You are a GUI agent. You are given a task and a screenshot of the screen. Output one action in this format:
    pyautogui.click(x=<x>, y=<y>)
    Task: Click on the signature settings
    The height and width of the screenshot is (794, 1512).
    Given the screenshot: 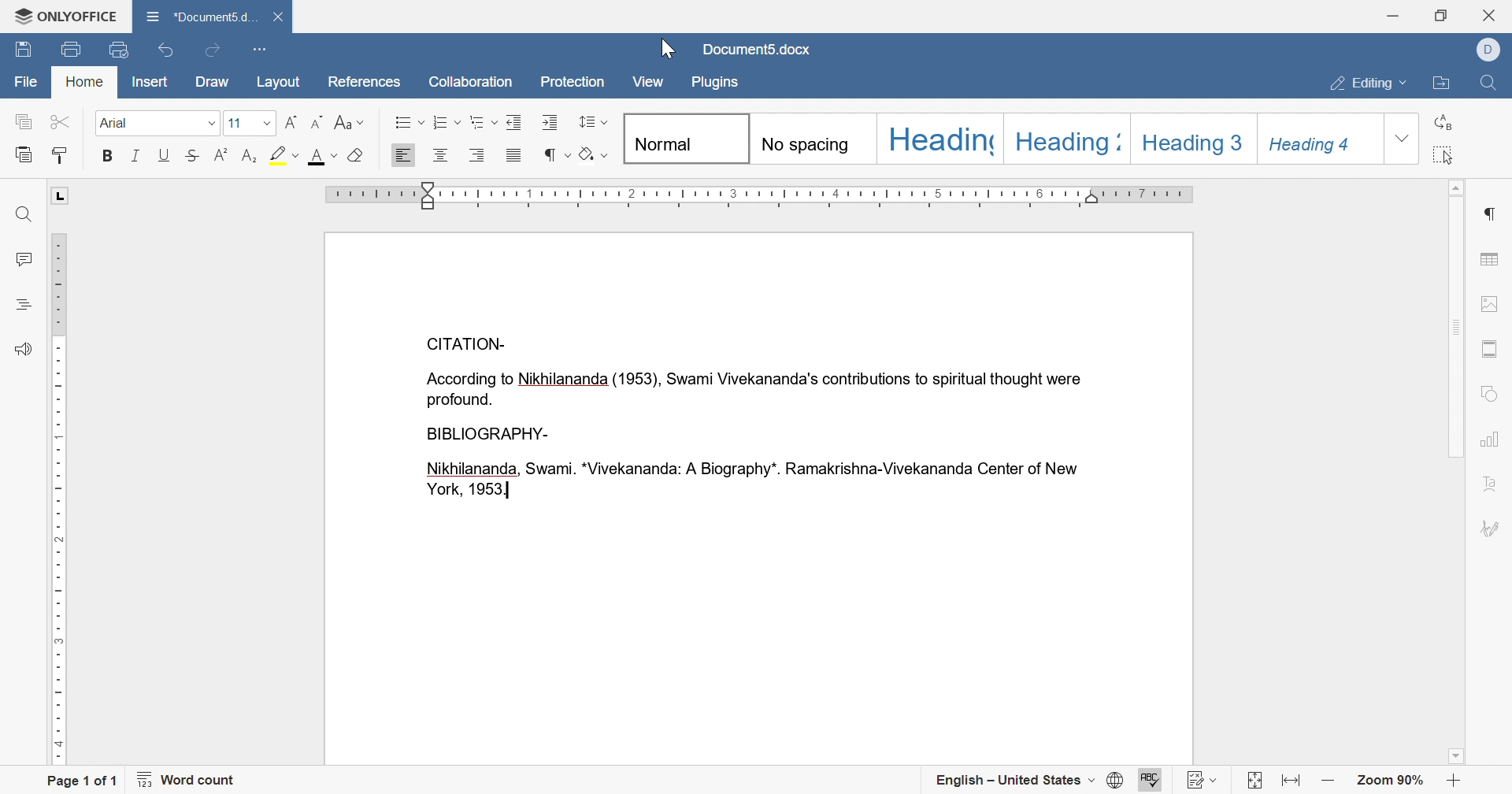 What is the action you would take?
    pyautogui.click(x=1491, y=530)
    